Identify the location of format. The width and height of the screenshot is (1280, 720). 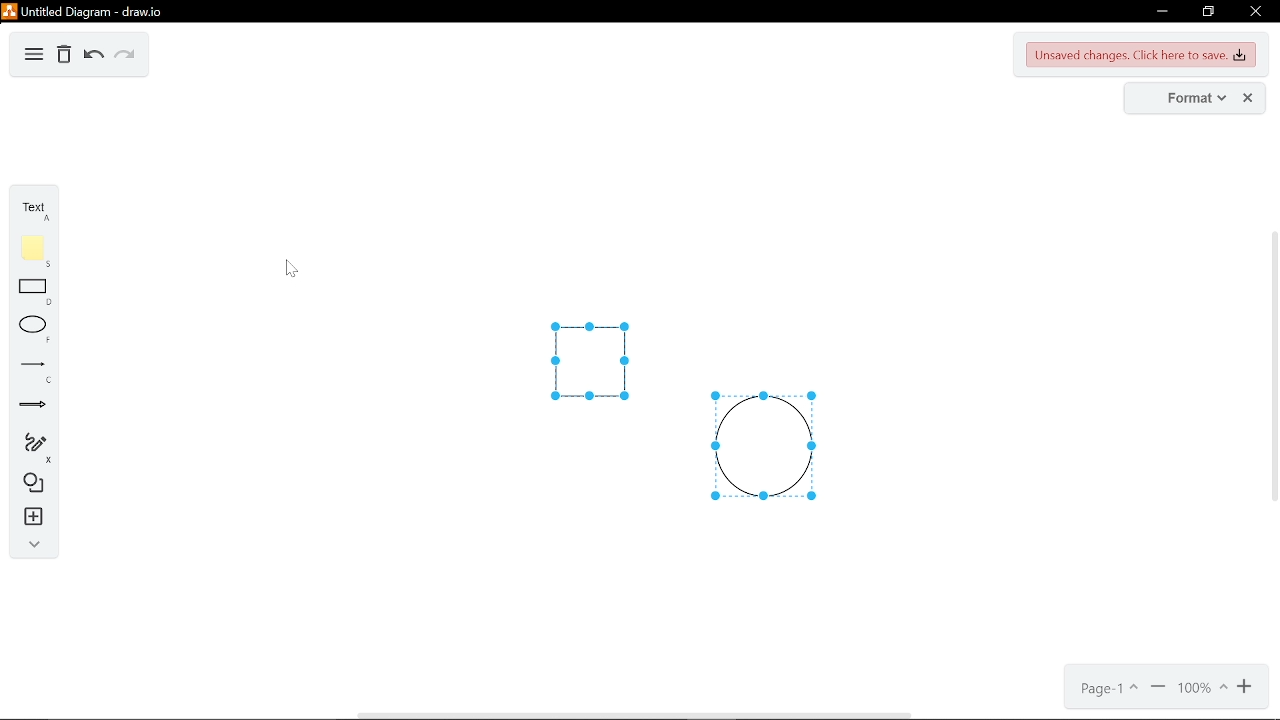
(1184, 98).